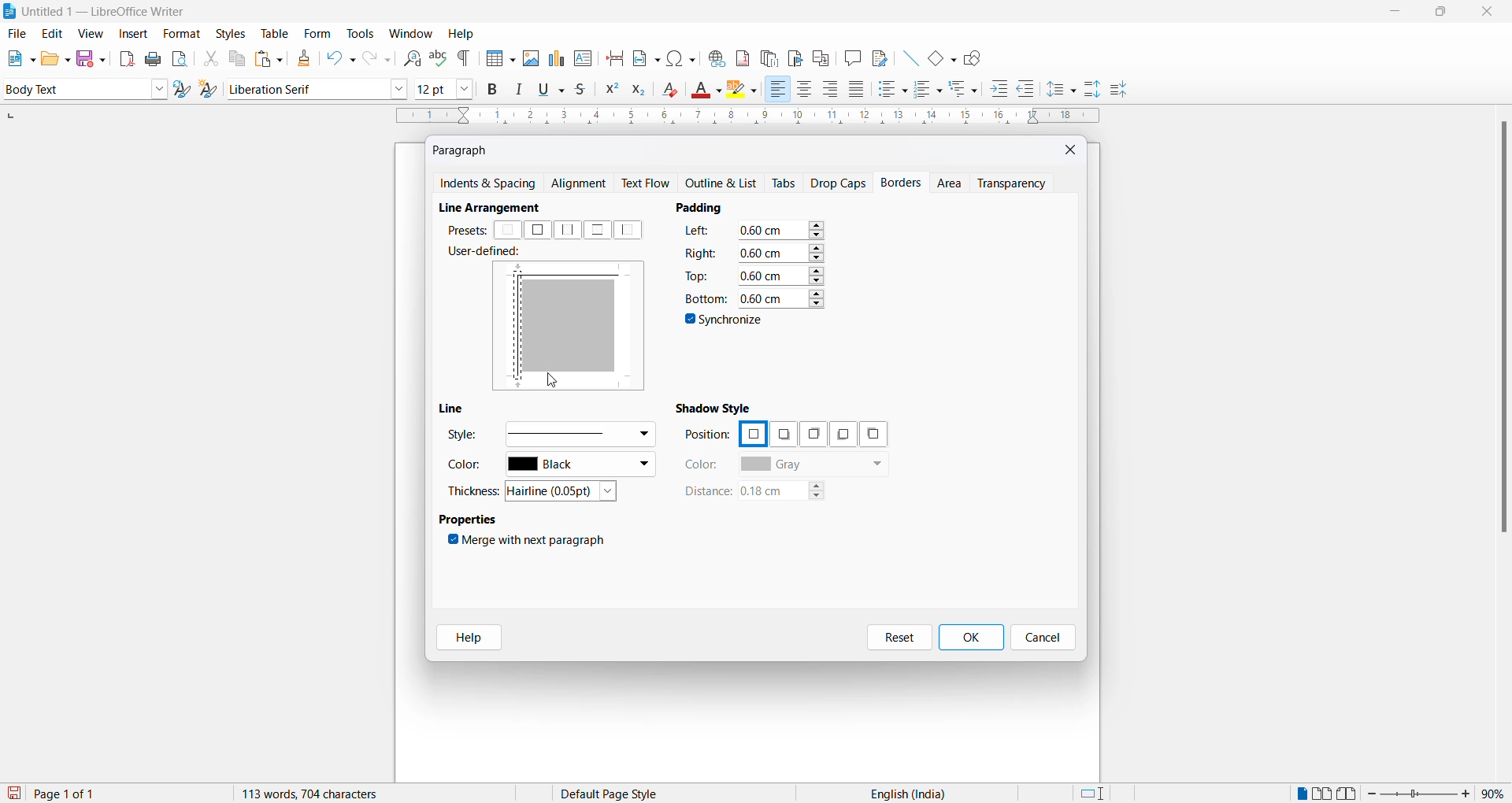  What do you see at coordinates (530, 542) in the screenshot?
I see `merge next paragraph` at bounding box center [530, 542].